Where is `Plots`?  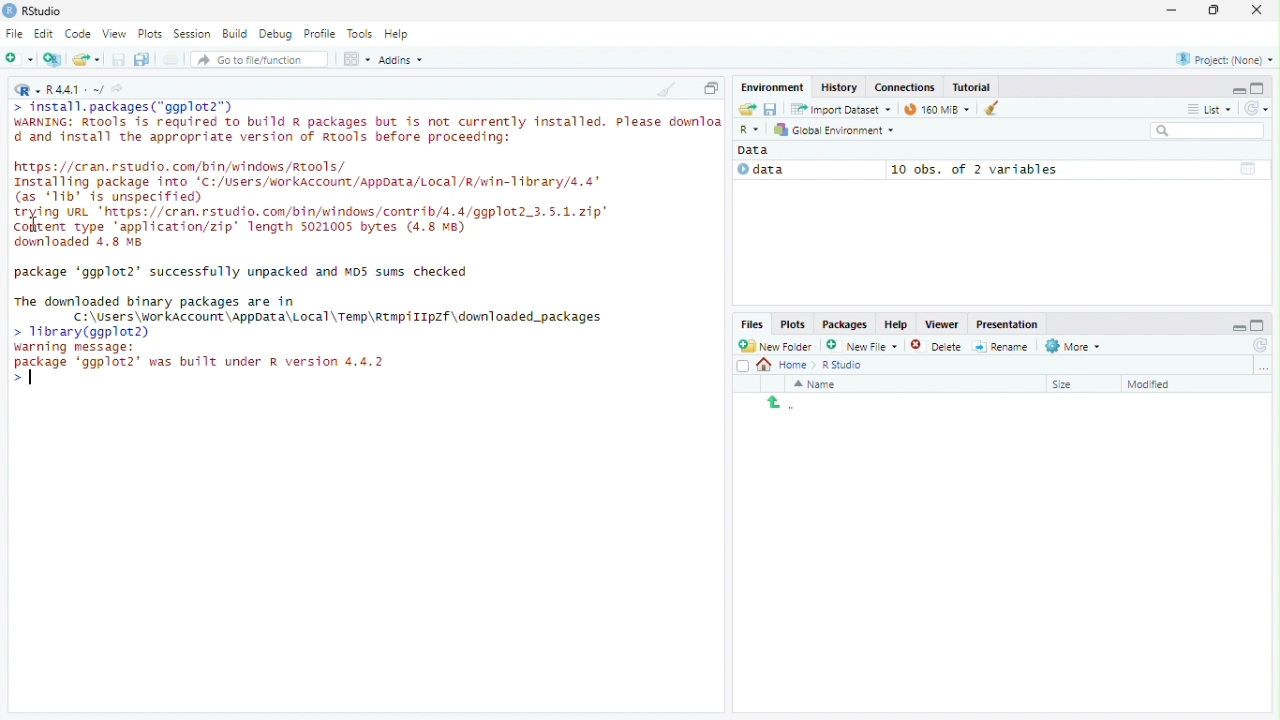 Plots is located at coordinates (153, 33).